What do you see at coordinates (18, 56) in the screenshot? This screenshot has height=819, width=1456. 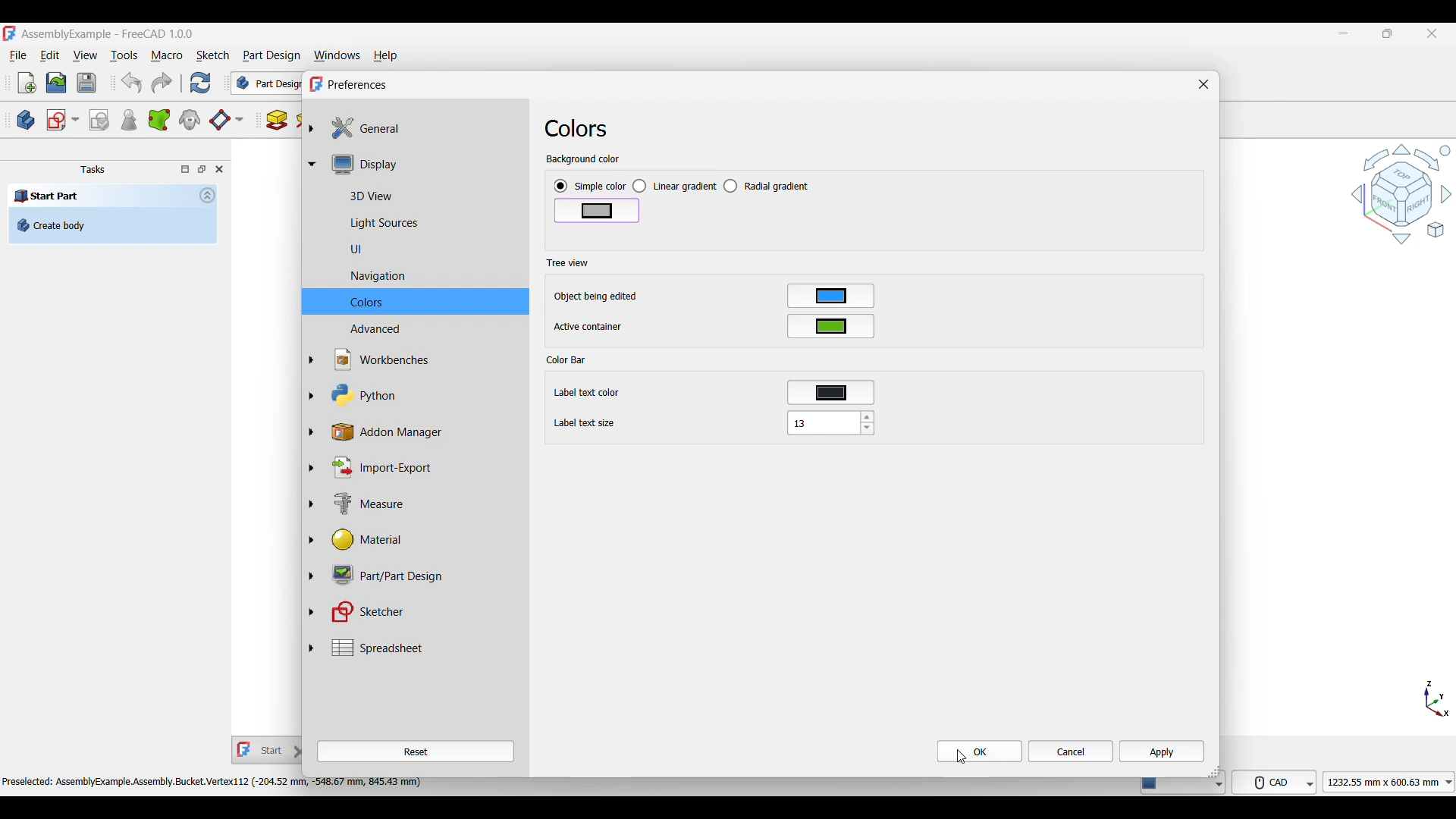 I see `File menu` at bounding box center [18, 56].